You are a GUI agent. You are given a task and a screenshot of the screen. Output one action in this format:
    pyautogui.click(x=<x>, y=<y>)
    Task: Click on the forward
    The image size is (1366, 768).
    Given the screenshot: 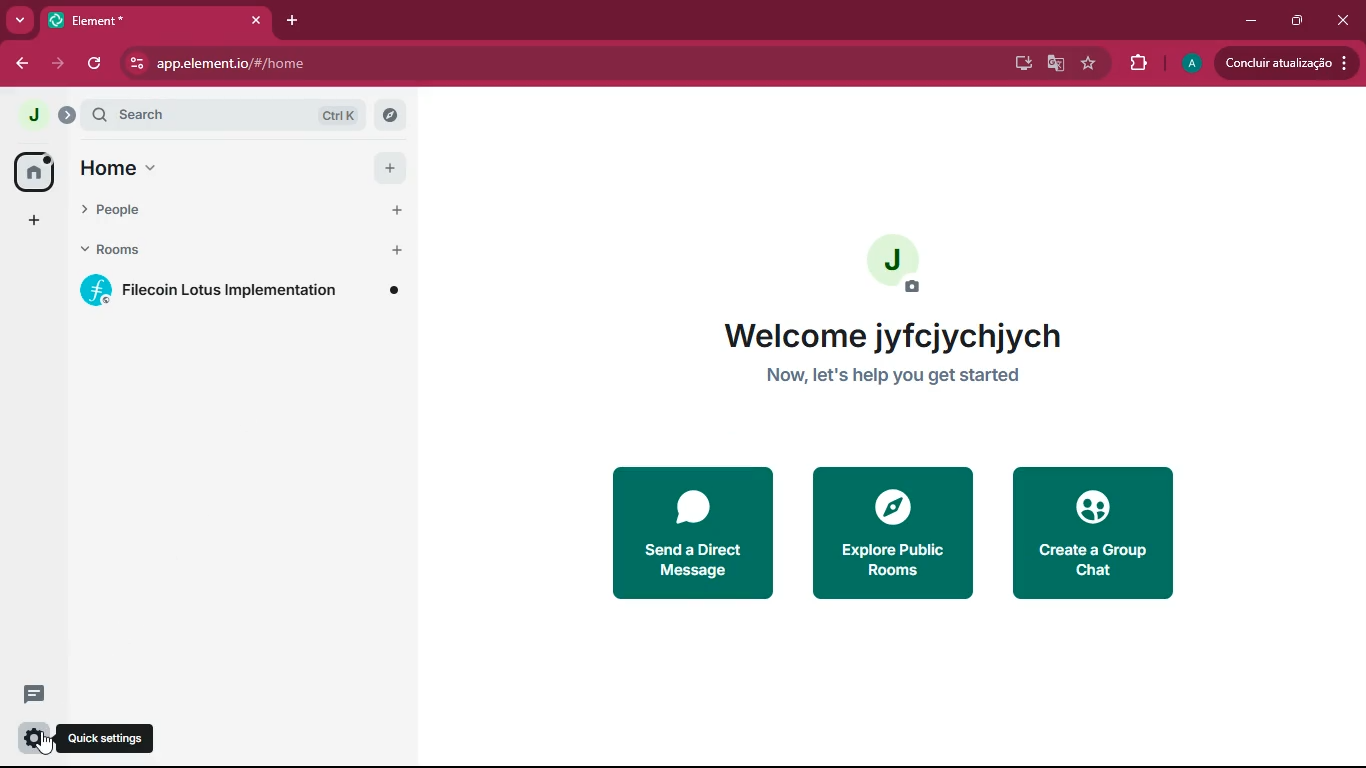 What is the action you would take?
    pyautogui.click(x=62, y=63)
    